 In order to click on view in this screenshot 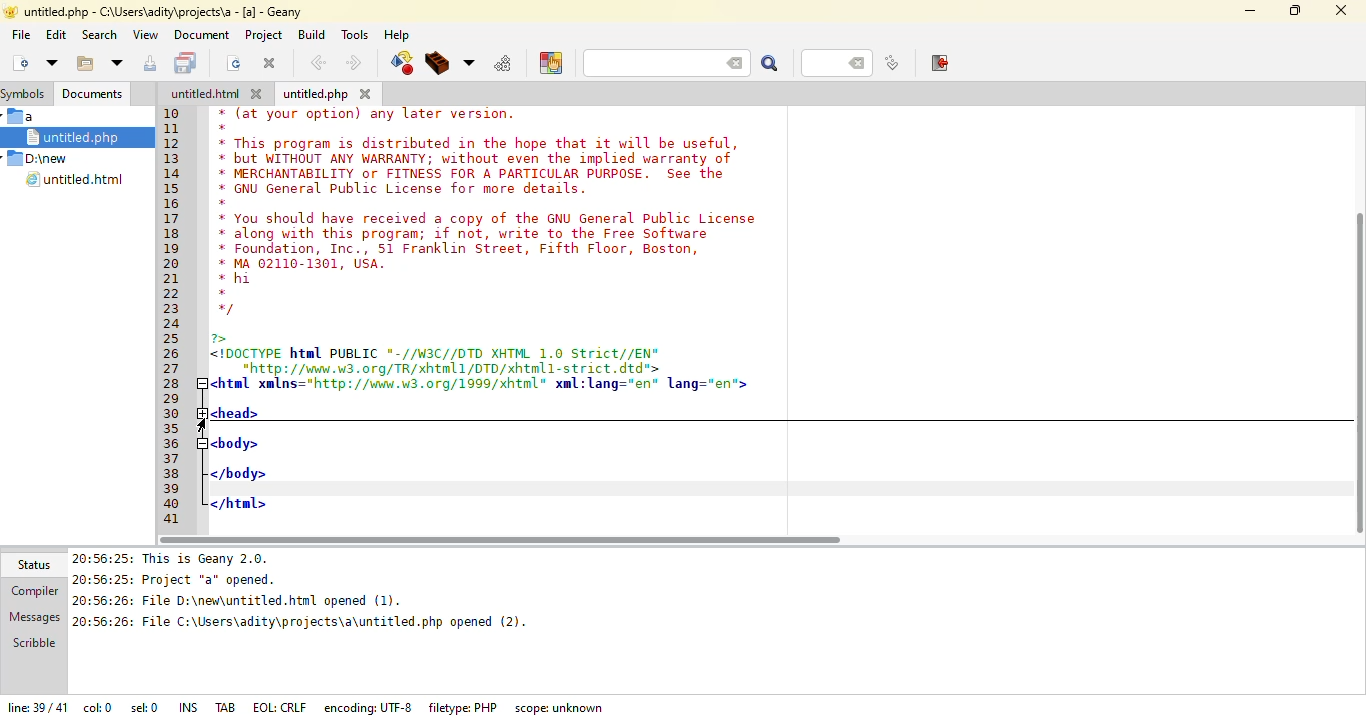, I will do `click(147, 35)`.